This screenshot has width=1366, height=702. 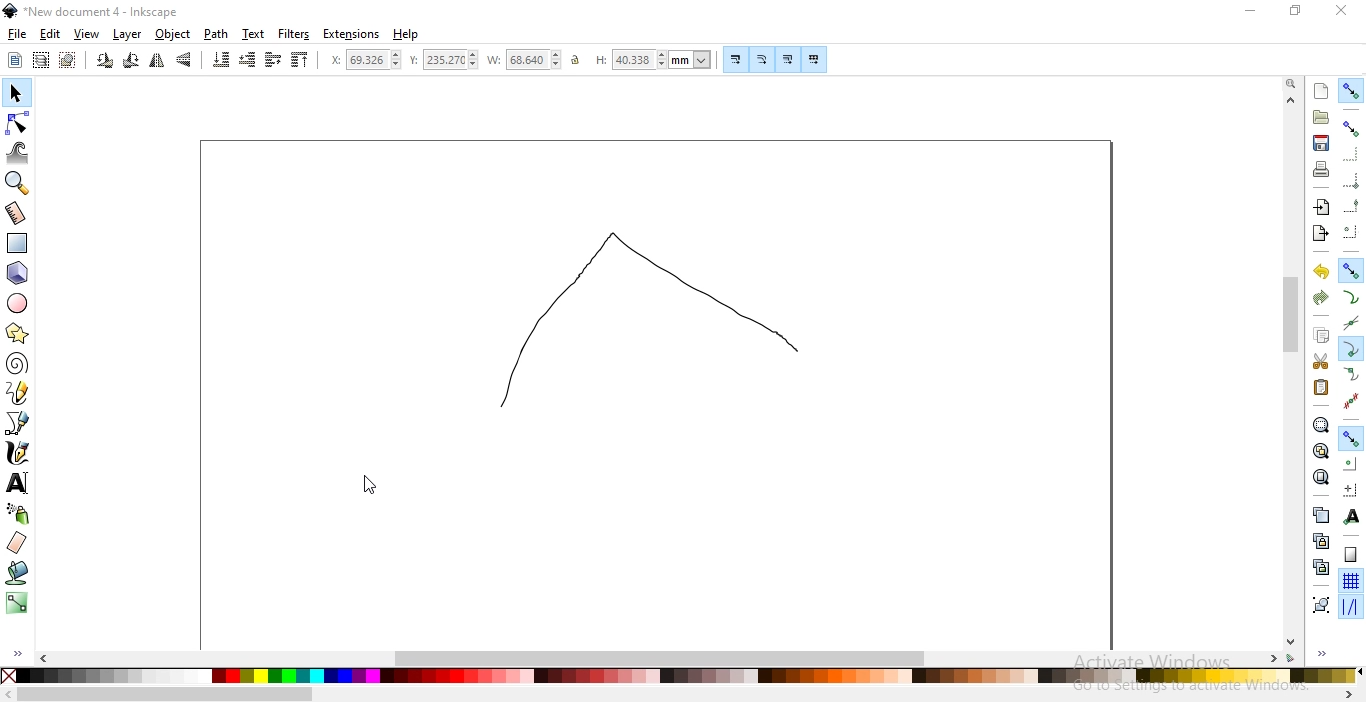 What do you see at coordinates (1319, 234) in the screenshot?
I see `export this document` at bounding box center [1319, 234].